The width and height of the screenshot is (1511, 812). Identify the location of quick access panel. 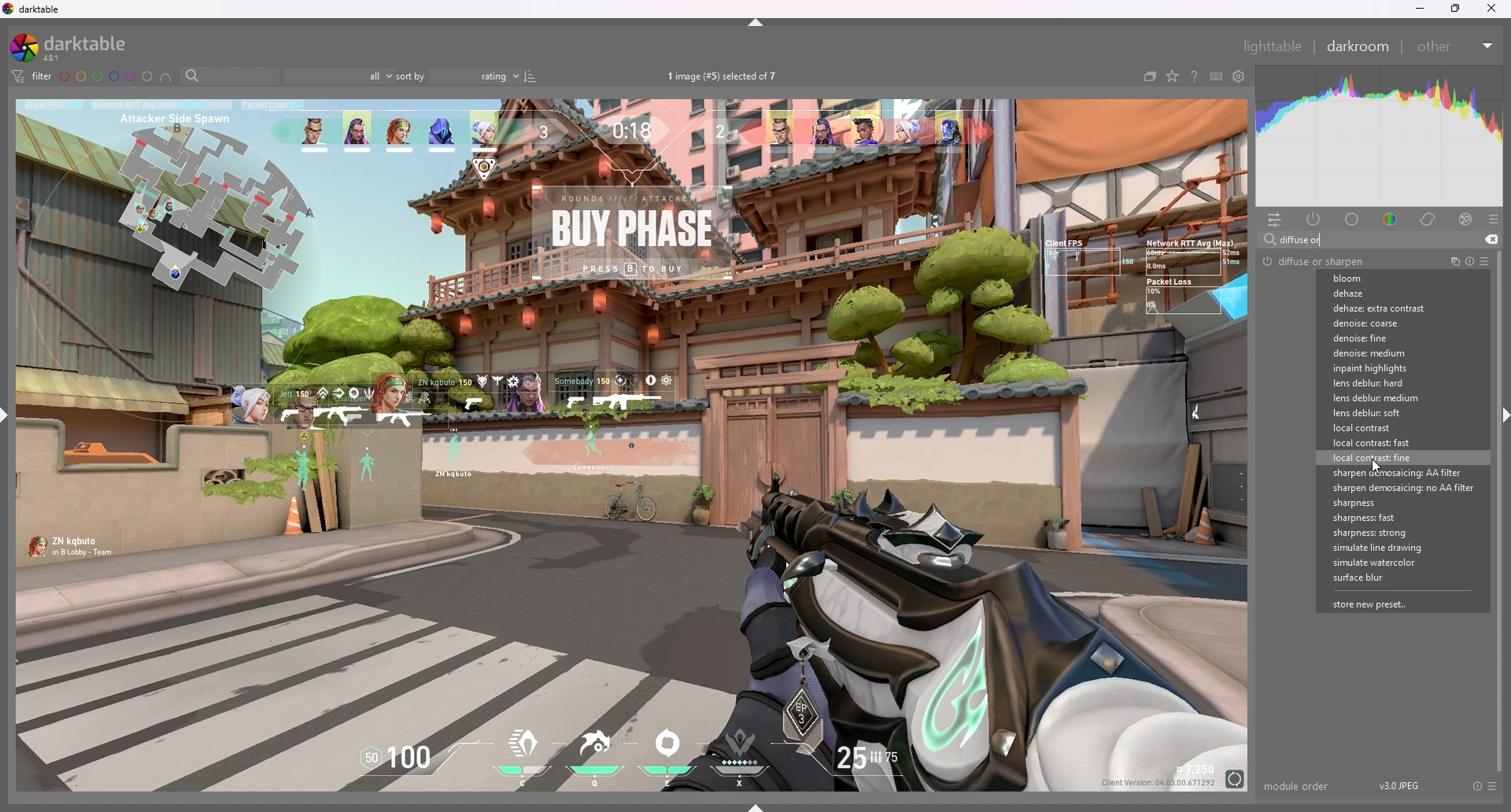
(1275, 220).